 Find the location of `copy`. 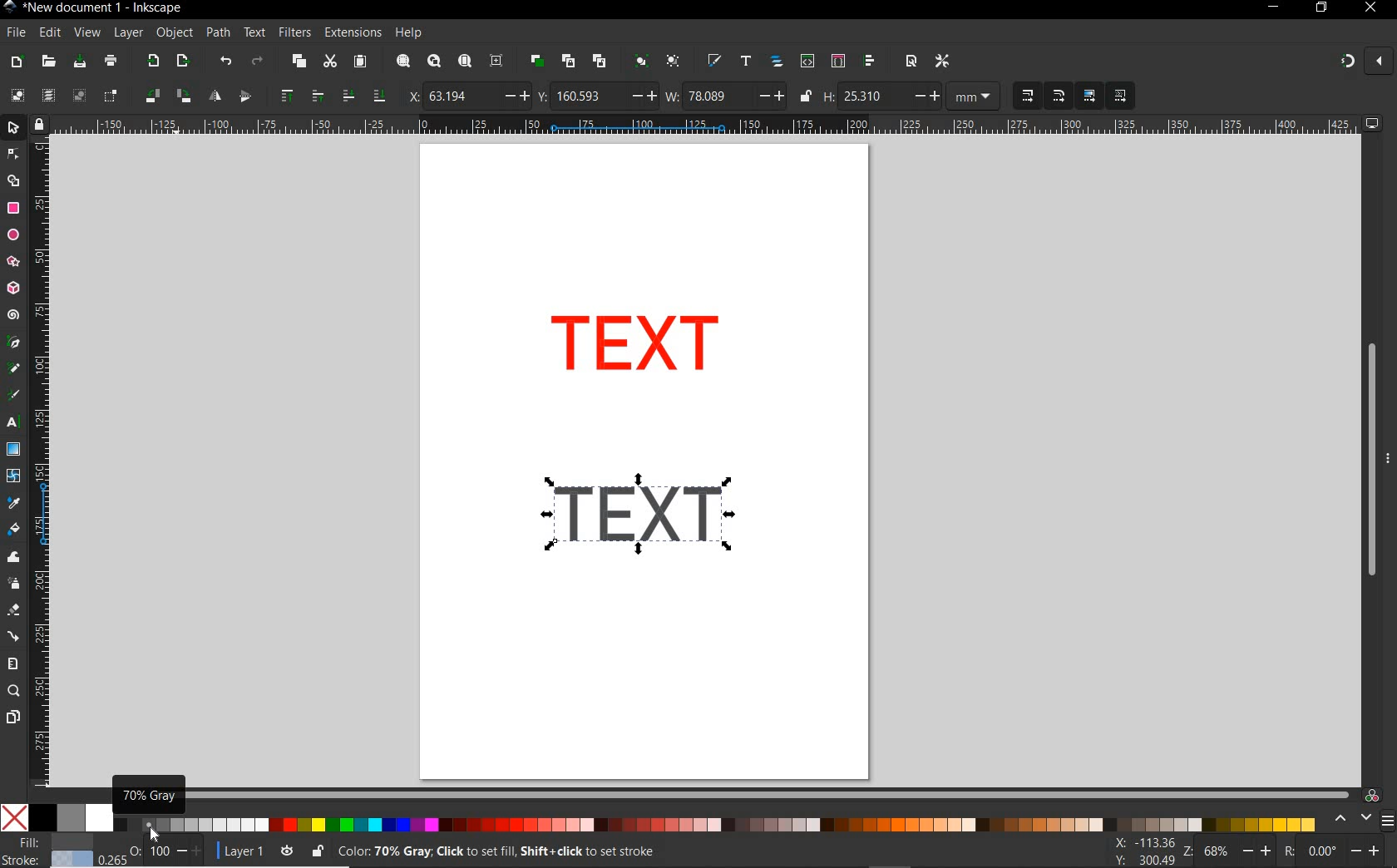

copy is located at coordinates (297, 62).